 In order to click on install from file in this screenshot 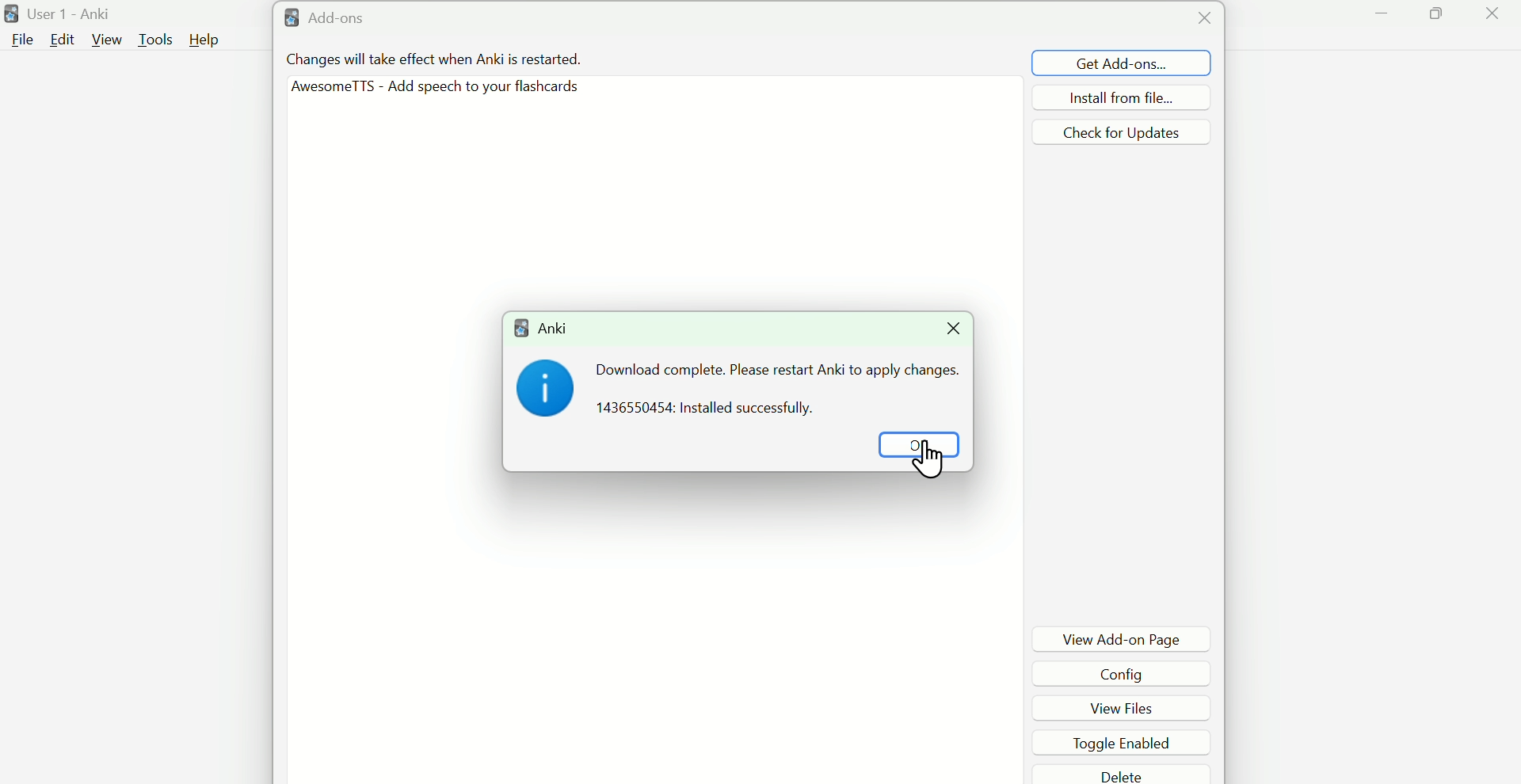, I will do `click(1120, 97)`.